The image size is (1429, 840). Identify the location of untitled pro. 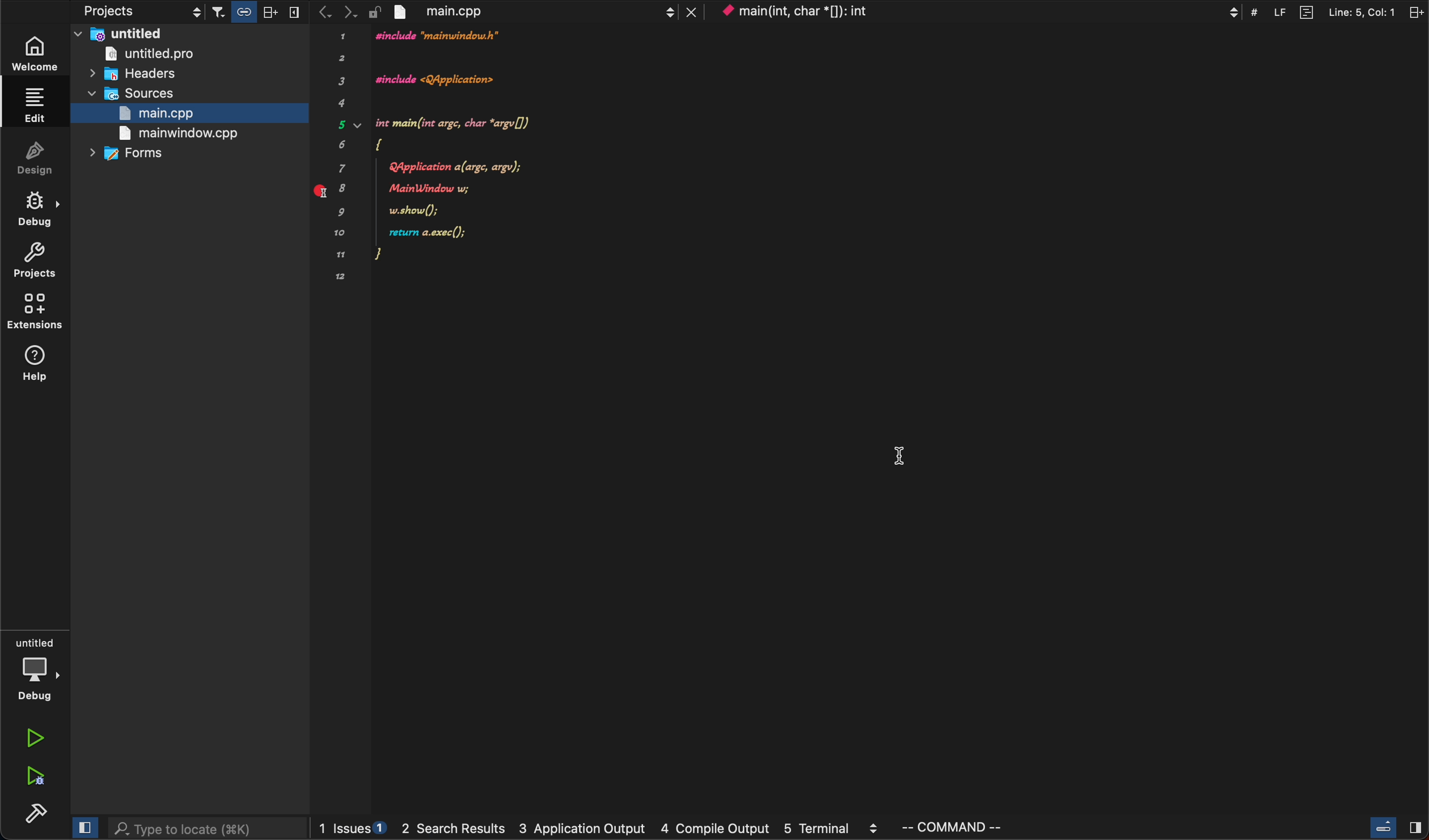
(175, 54).